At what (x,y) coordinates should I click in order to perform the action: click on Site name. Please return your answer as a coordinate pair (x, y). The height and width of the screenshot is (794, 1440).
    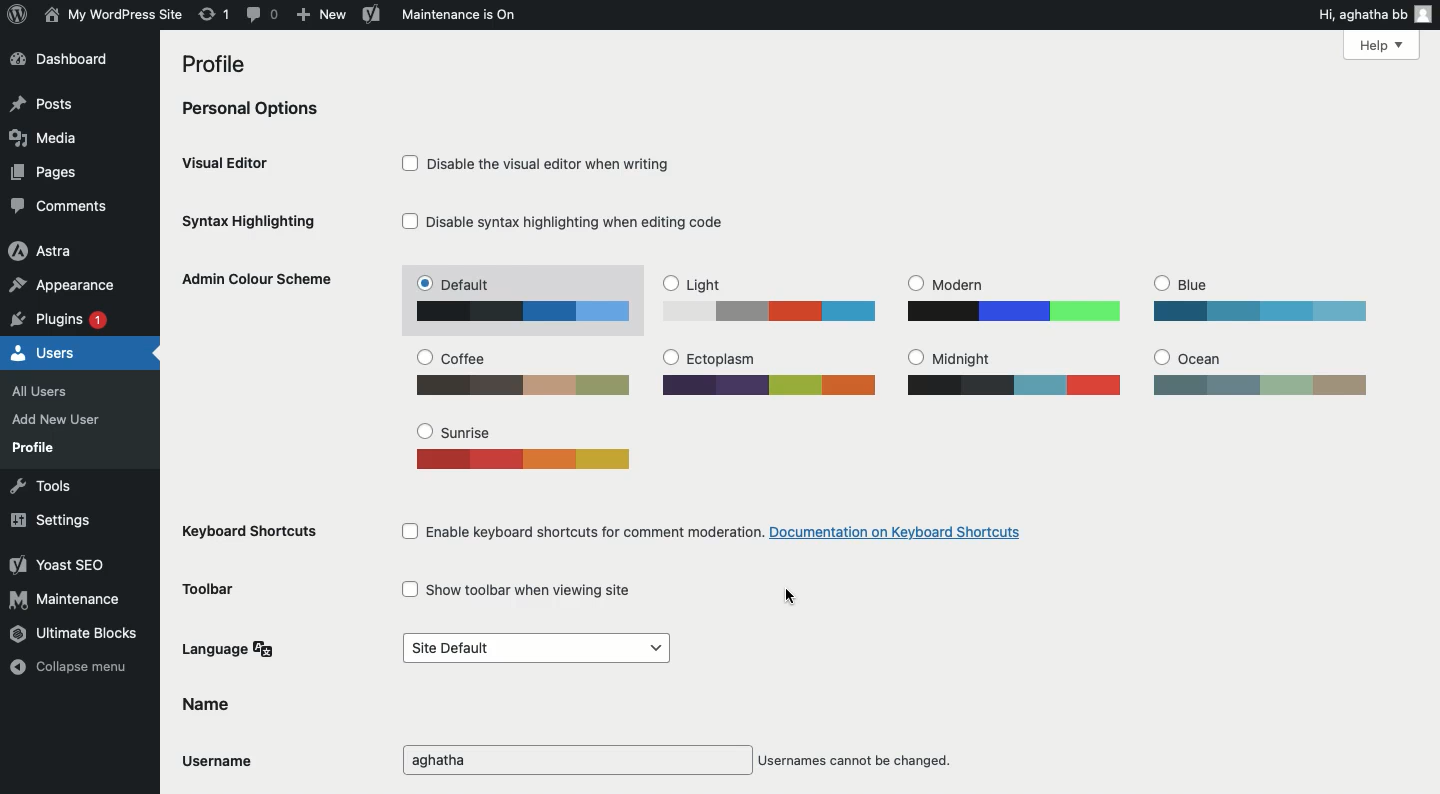
    Looking at the image, I should click on (112, 17).